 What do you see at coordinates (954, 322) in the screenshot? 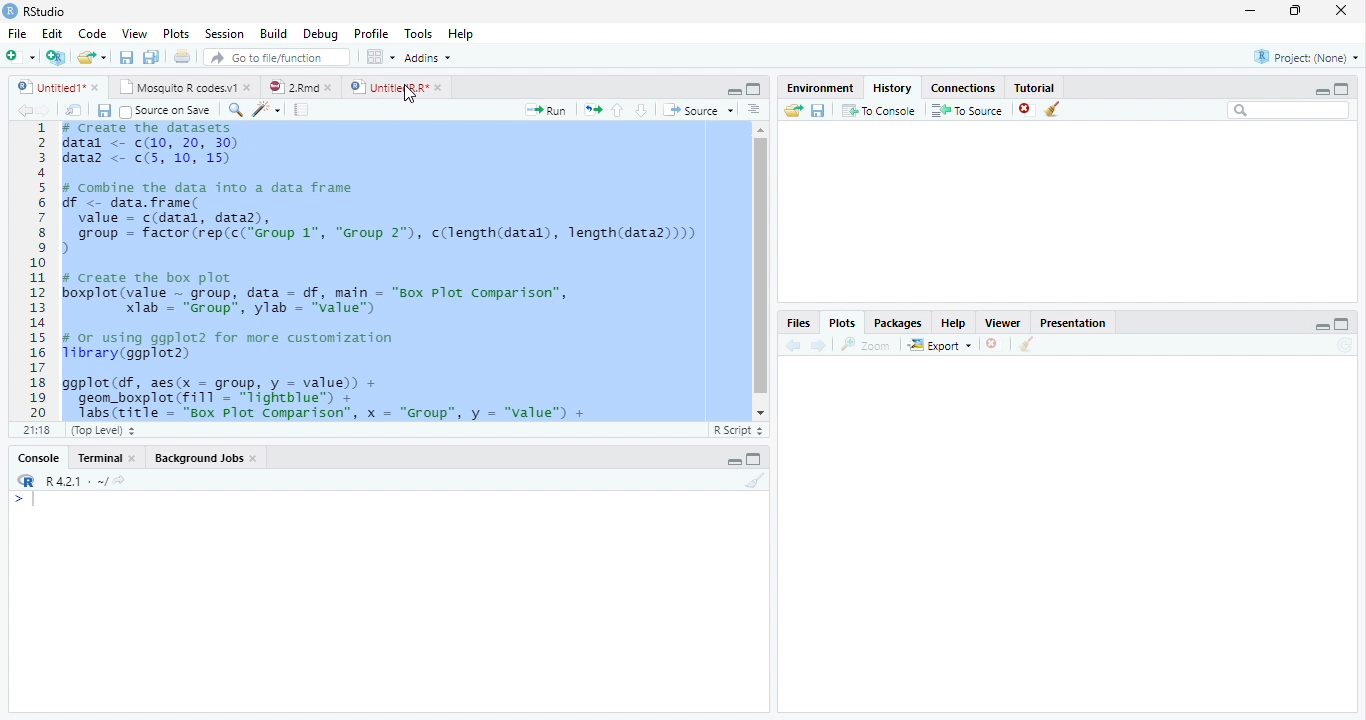
I see `Help` at bounding box center [954, 322].